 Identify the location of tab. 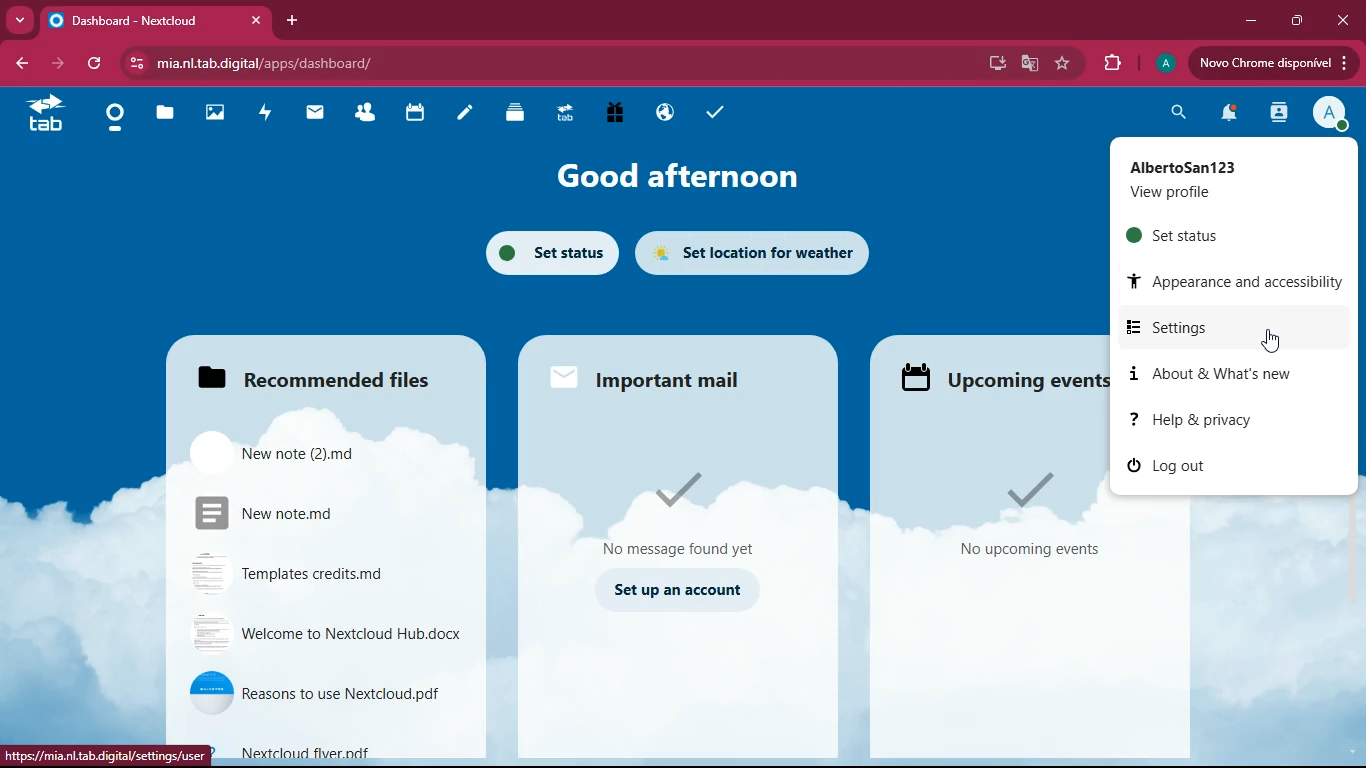
(154, 21).